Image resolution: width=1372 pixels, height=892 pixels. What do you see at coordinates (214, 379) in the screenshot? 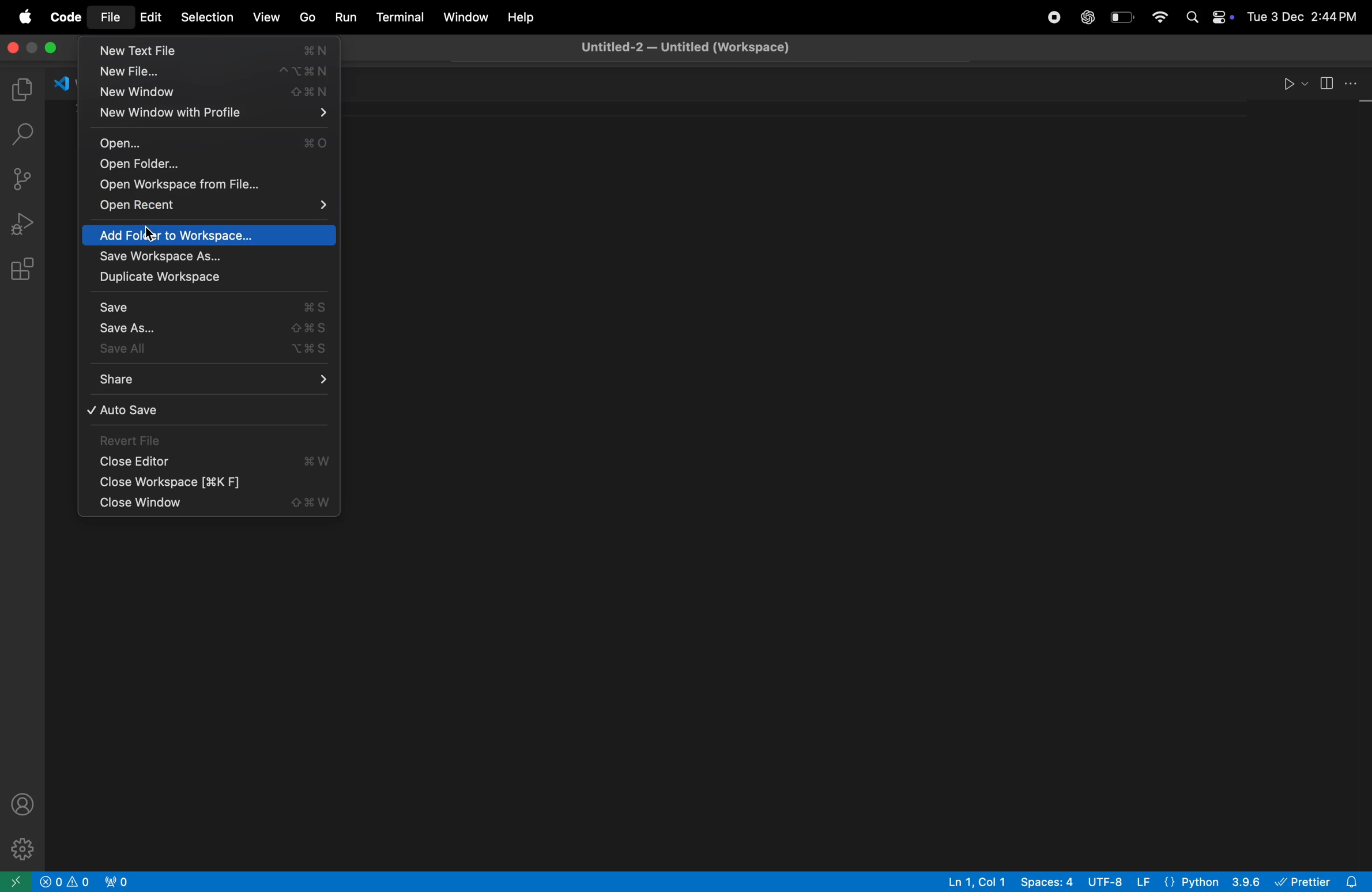
I see `share` at bounding box center [214, 379].